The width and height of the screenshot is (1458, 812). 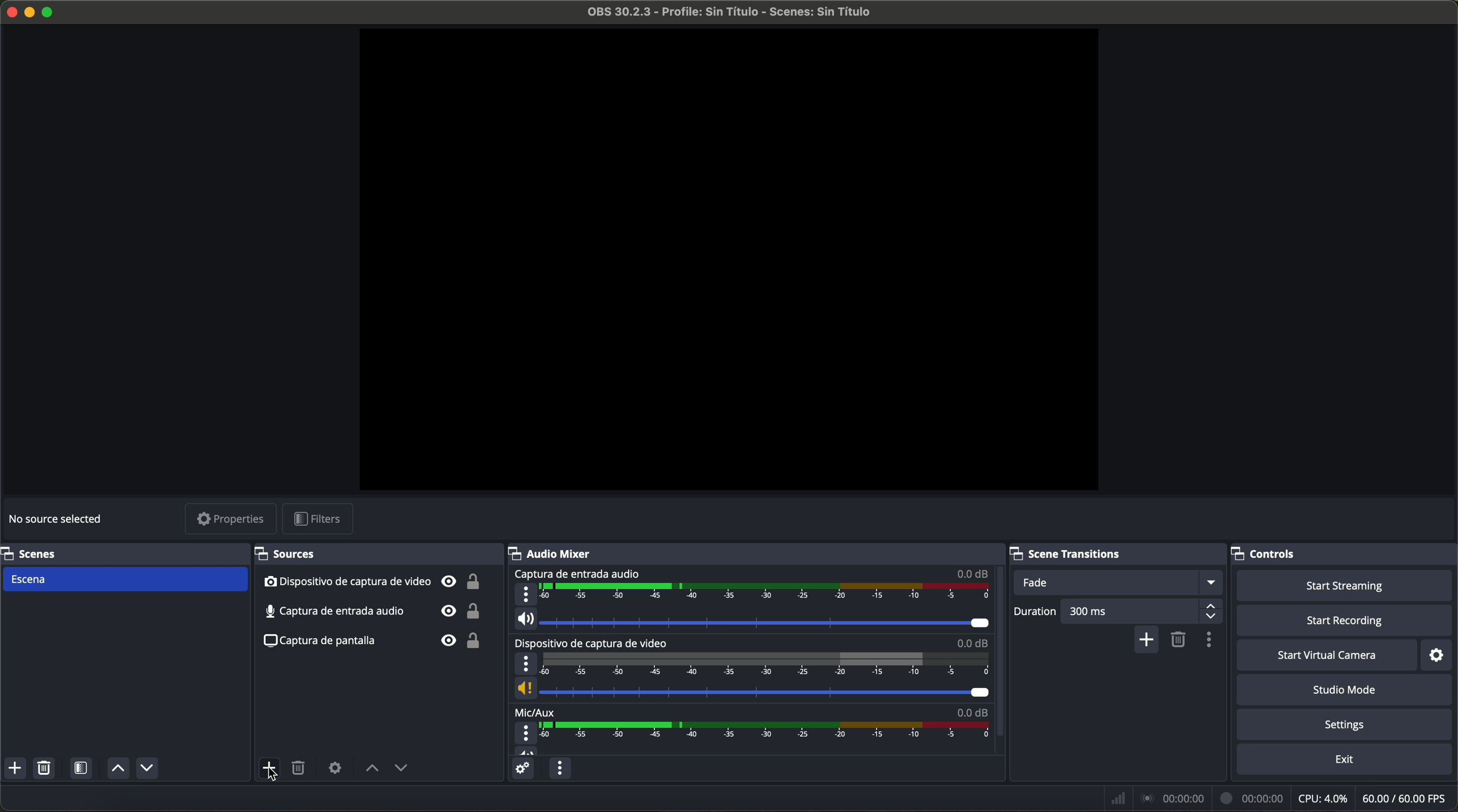 What do you see at coordinates (526, 594) in the screenshot?
I see `more options` at bounding box center [526, 594].